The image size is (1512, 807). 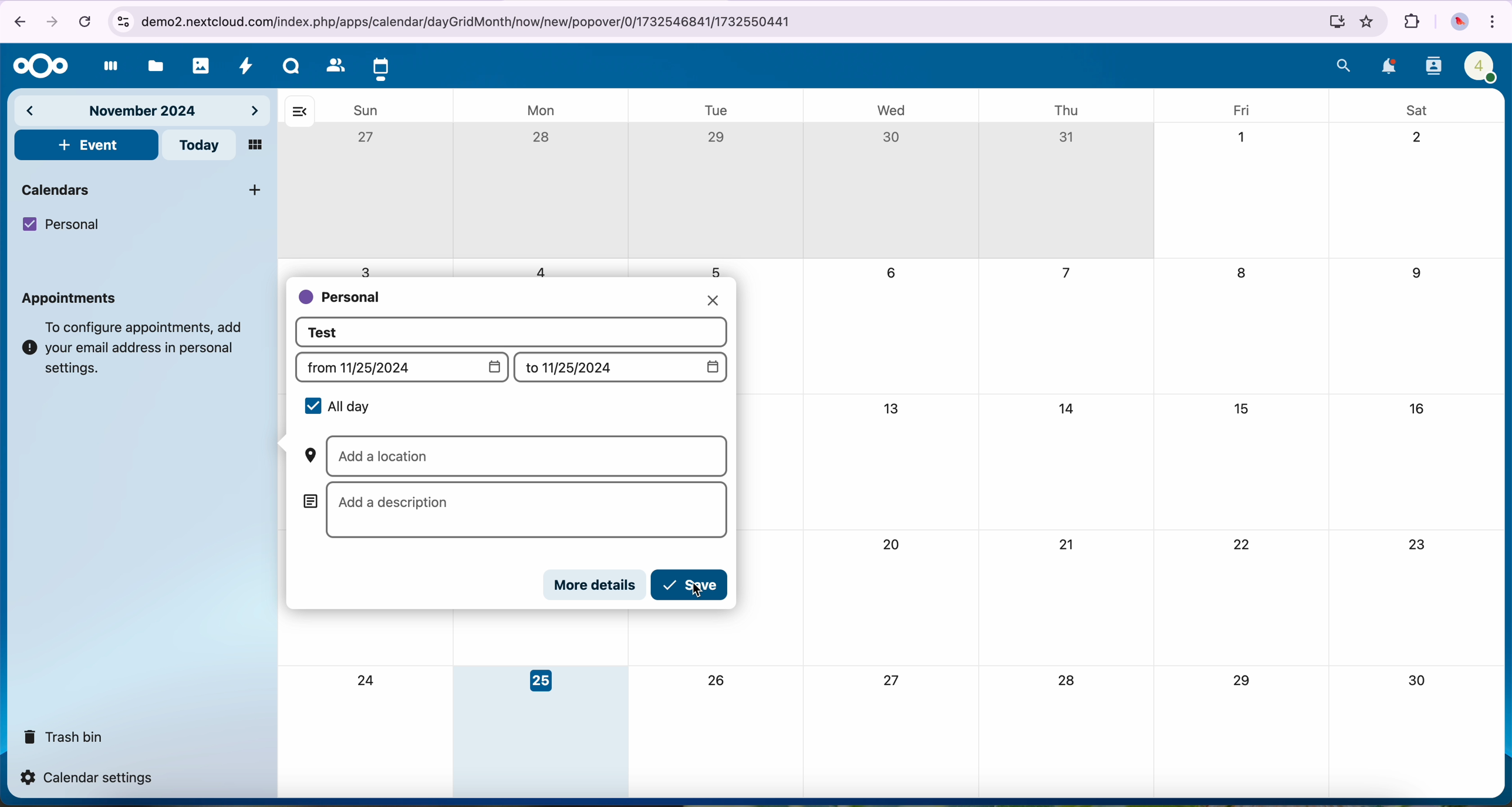 What do you see at coordinates (890, 273) in the screenshot?
I see `6` at bounding box center [890, 273].